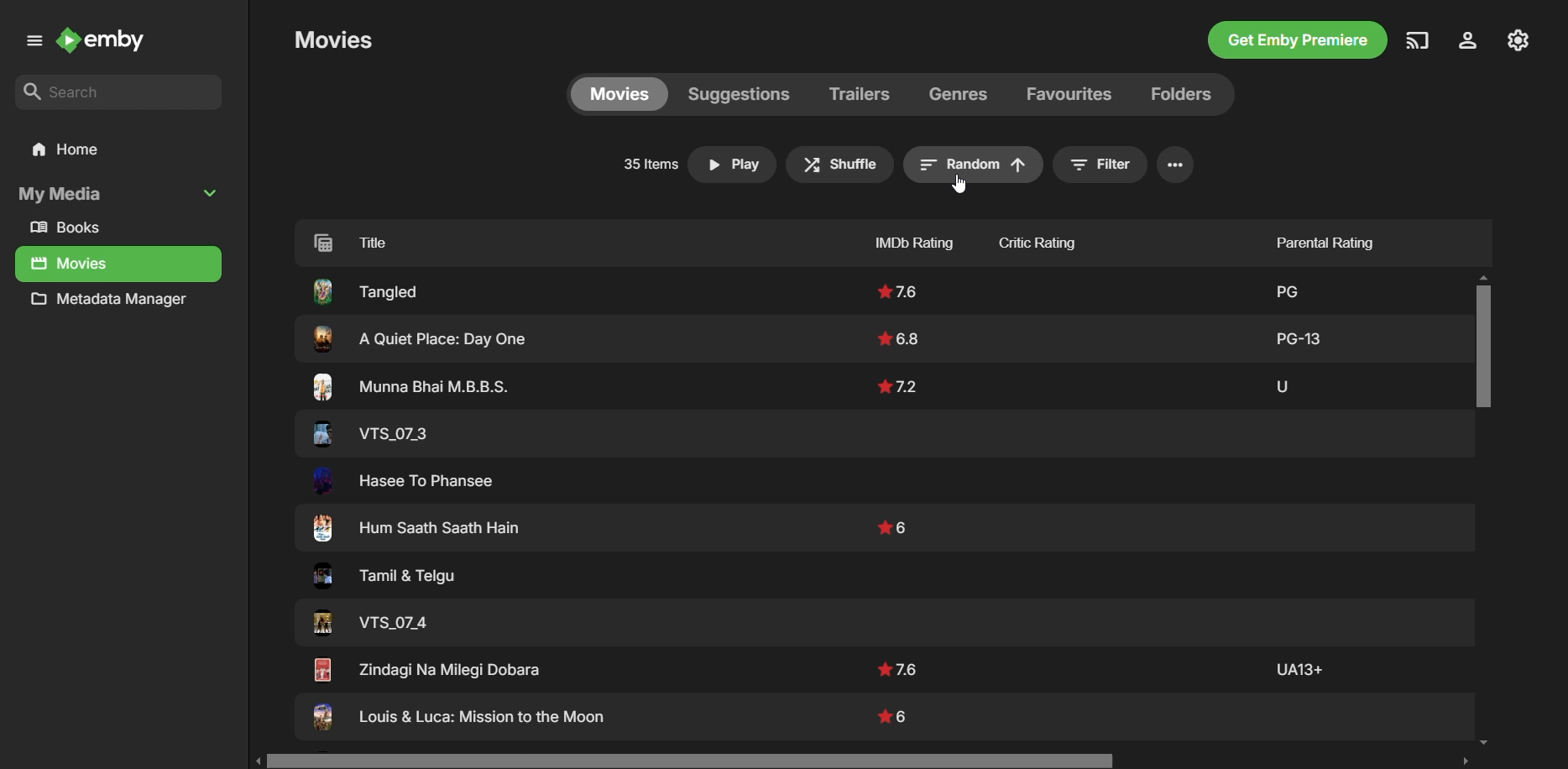 The width and height of the screenshot is (1568, 769). I want to click on , so click(365, 290).